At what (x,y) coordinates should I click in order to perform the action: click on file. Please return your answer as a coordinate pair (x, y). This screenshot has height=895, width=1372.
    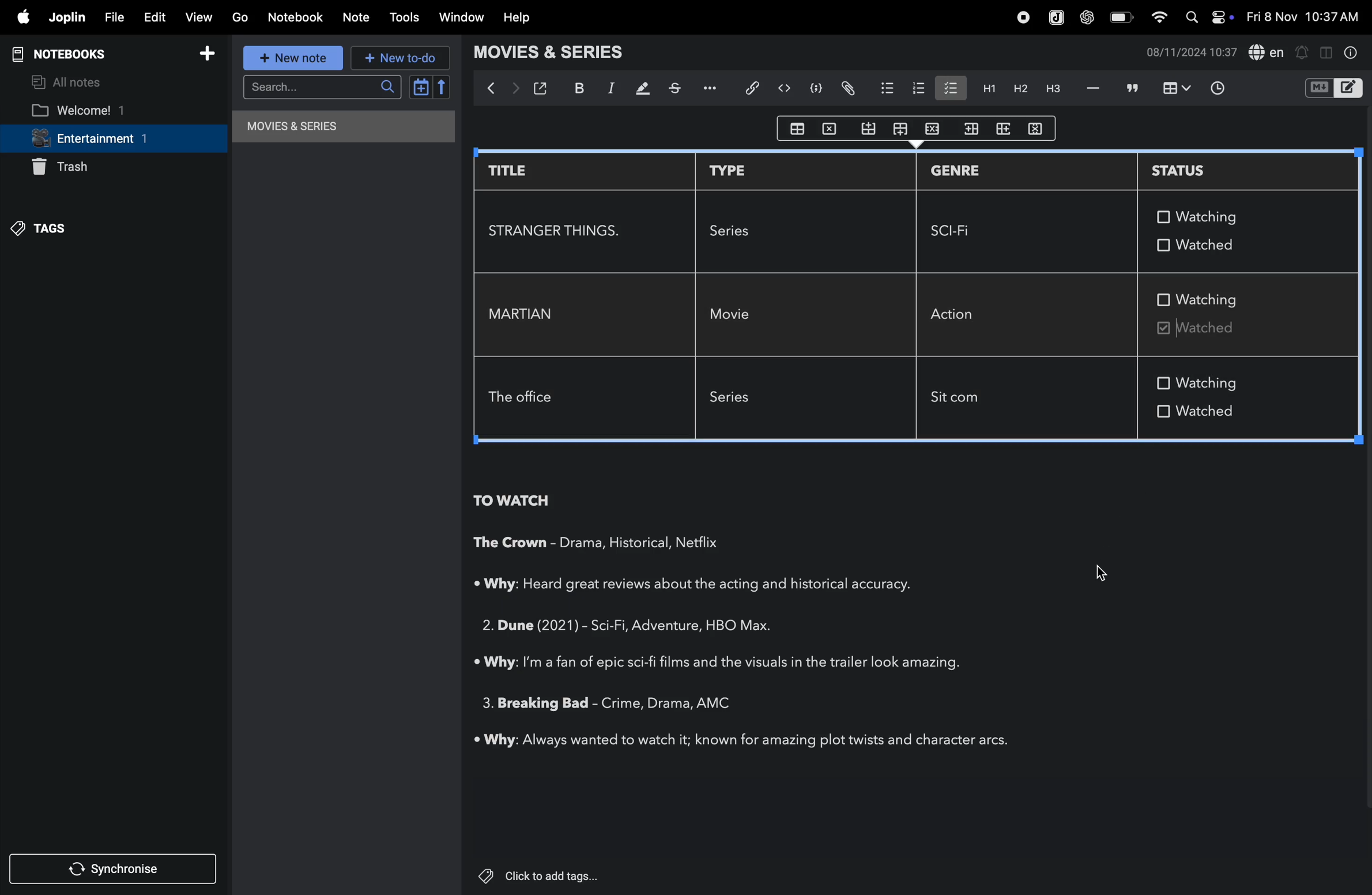
    Looking at the image, I should click on (115, 16).